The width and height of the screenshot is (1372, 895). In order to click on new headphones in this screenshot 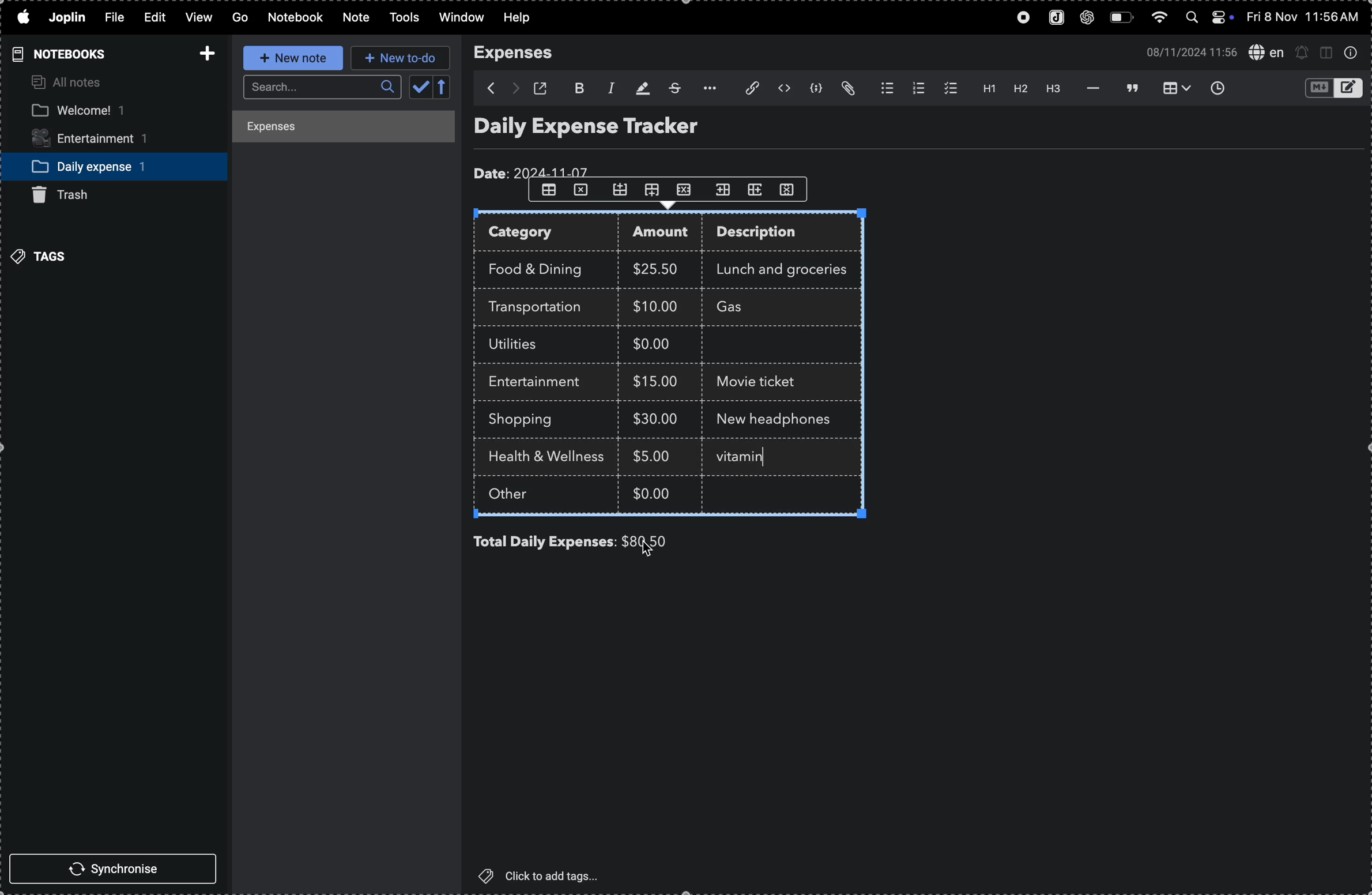, I will do `click(770, 418)`.